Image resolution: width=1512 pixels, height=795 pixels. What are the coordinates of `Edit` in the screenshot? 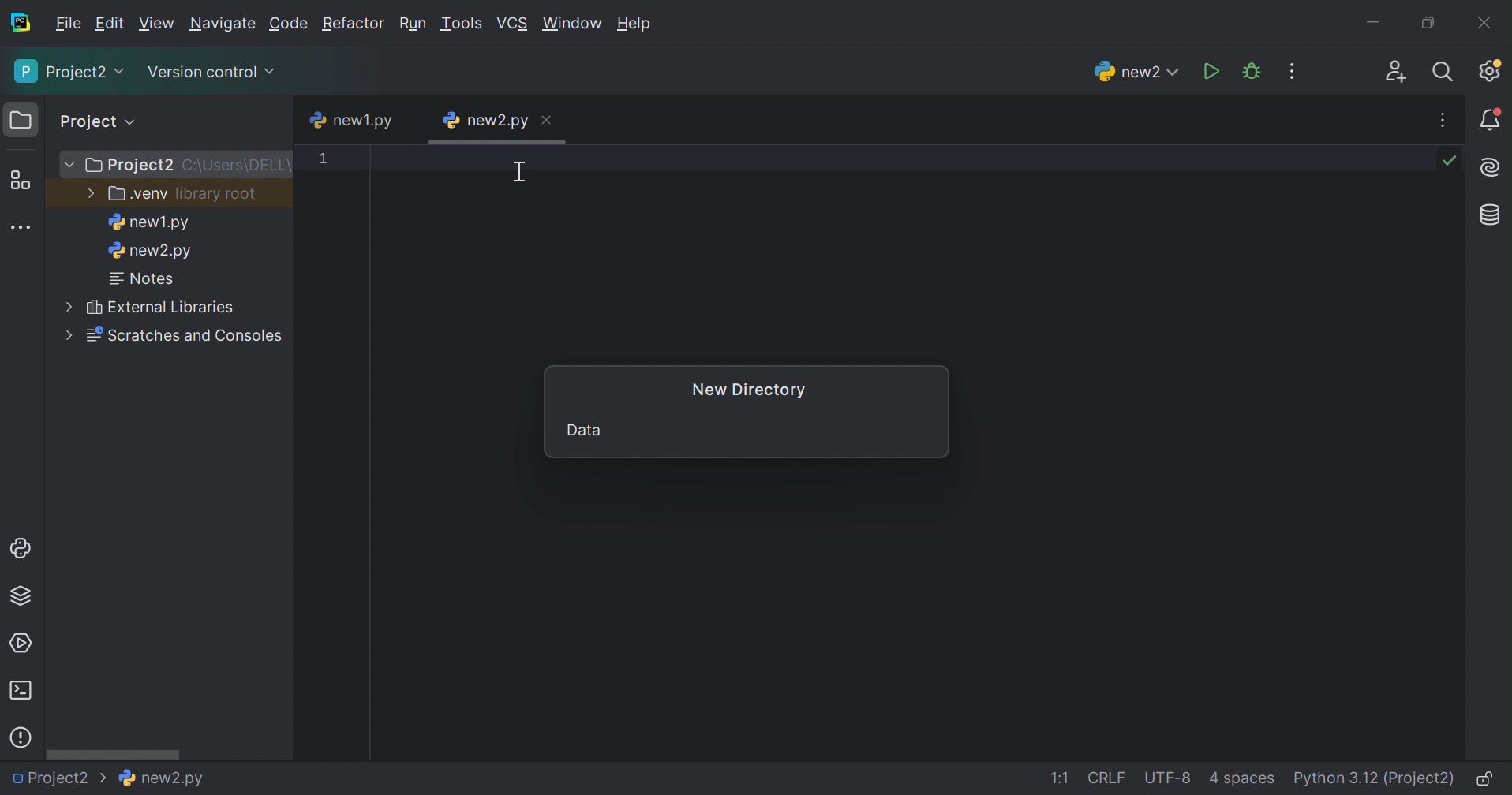 It's located at (110, 24).